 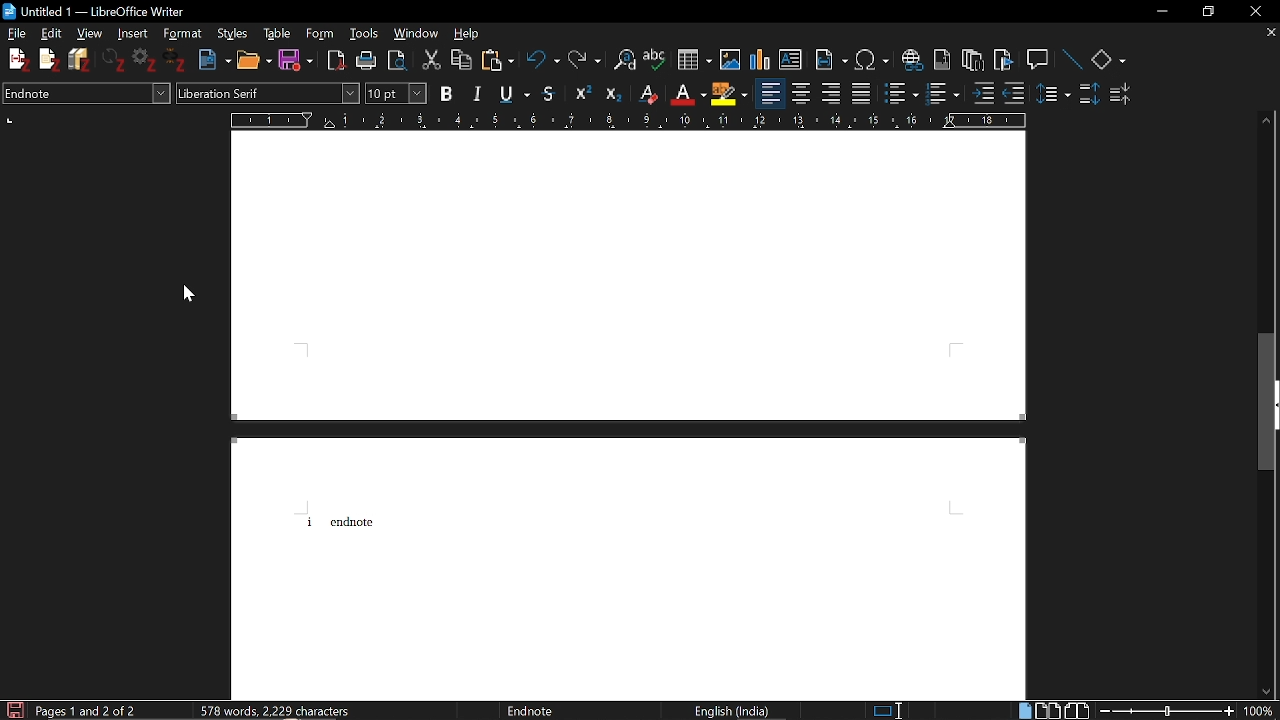 What do you see at coordinates (91, 34) in the screenshot?
I see `View` at bounding box center [91, 34].